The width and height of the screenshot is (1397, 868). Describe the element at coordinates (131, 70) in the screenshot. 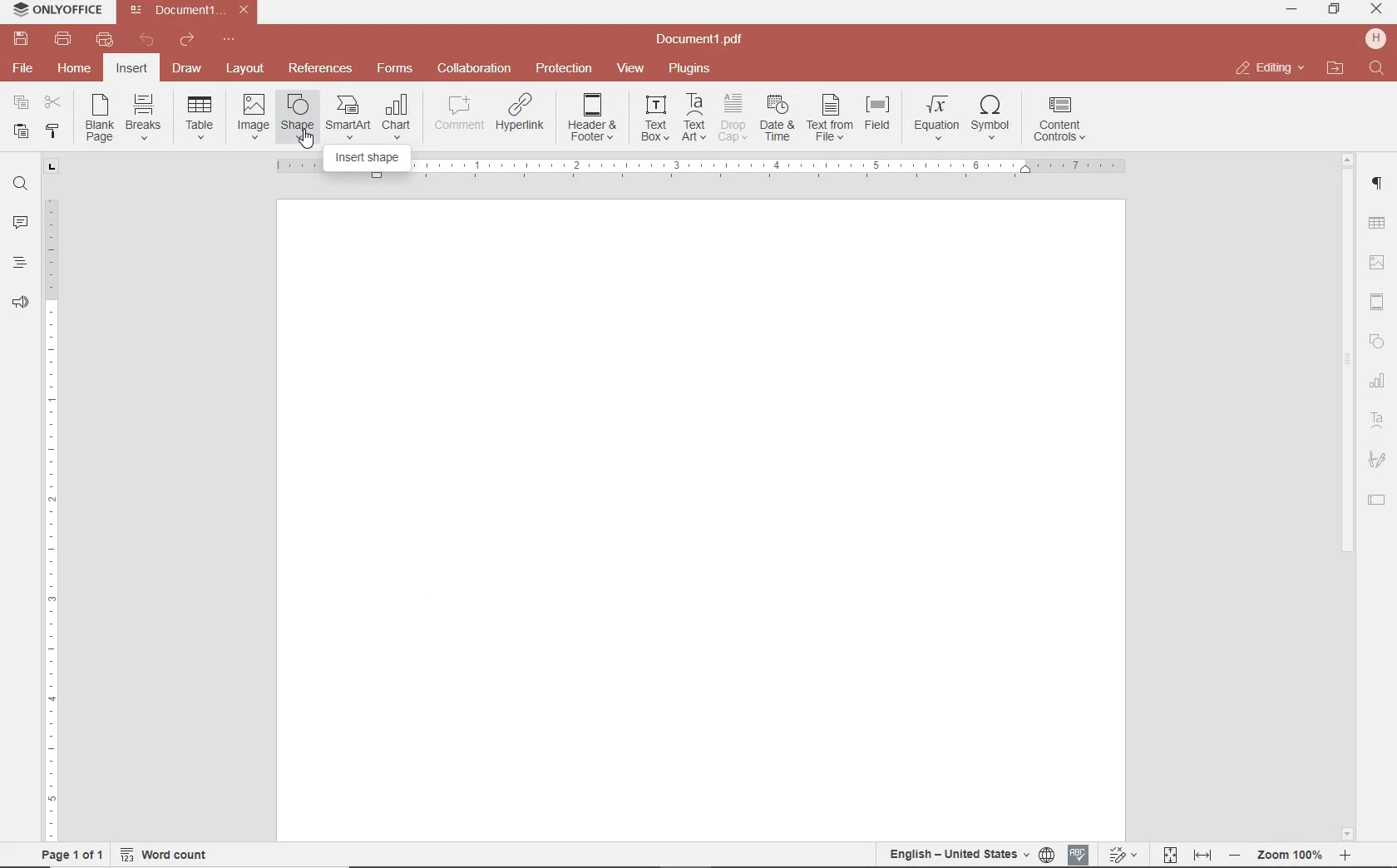

I see `insert` at that location.